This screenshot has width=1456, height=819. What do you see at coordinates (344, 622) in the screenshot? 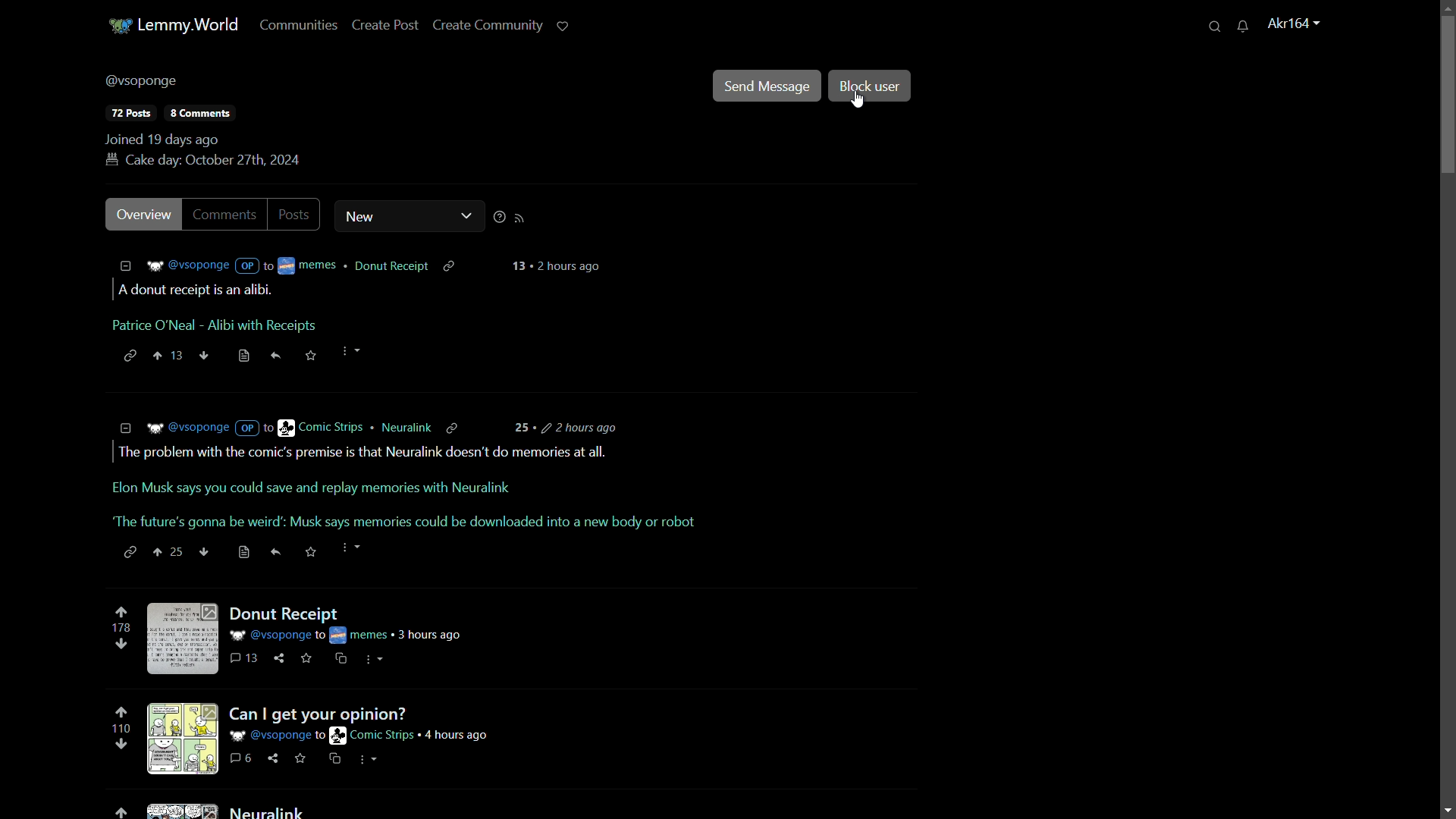
I see `post-1` at bounding box center [344, 622].